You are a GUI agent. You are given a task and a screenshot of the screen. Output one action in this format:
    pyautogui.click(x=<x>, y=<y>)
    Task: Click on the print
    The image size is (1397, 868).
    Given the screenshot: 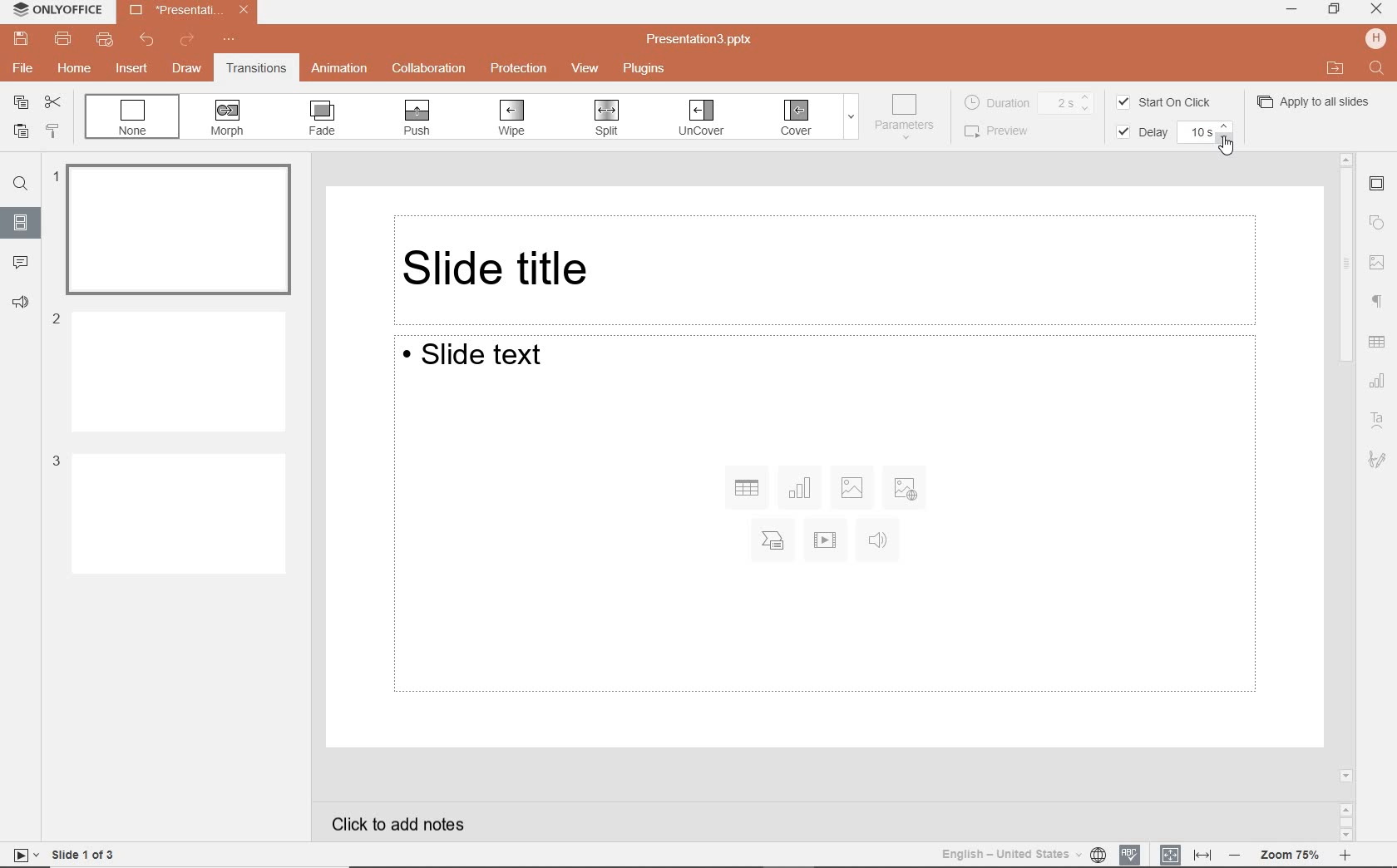 What is the action you would take?
    pyautogui.click(x=63, y=37)
    